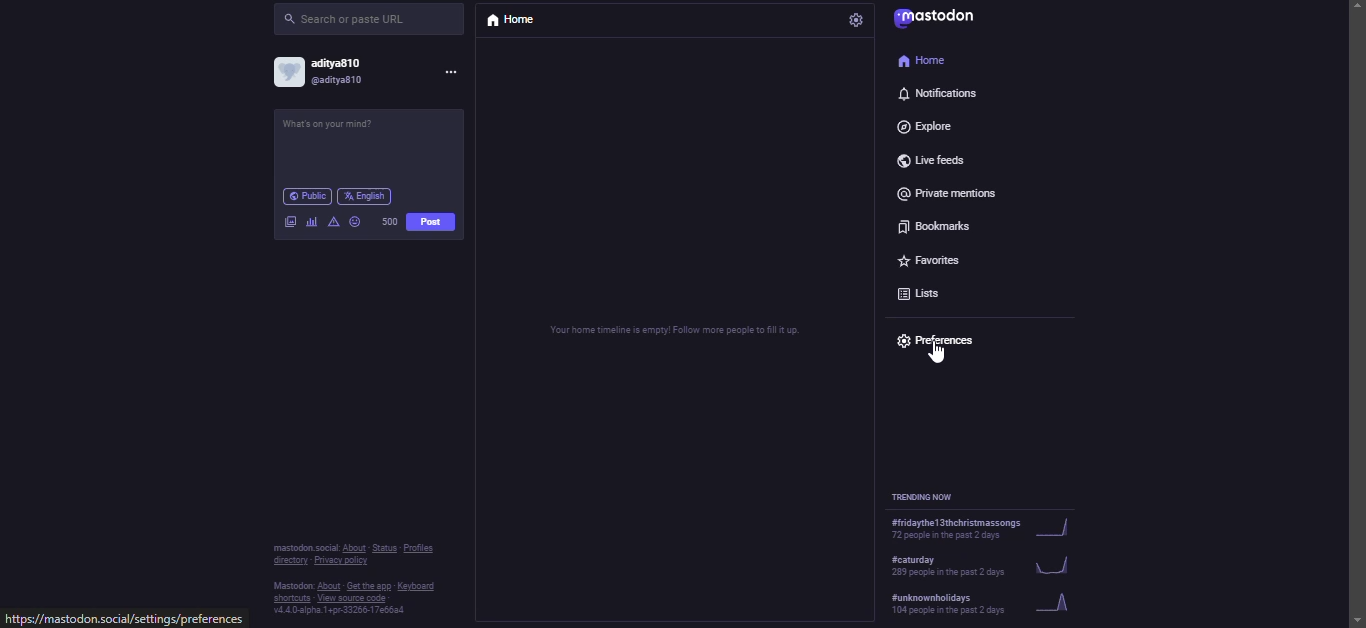  What do you see at coordinates (938, 94) in the screenshot?
I see `notifications` at bounding box center [938, 94].